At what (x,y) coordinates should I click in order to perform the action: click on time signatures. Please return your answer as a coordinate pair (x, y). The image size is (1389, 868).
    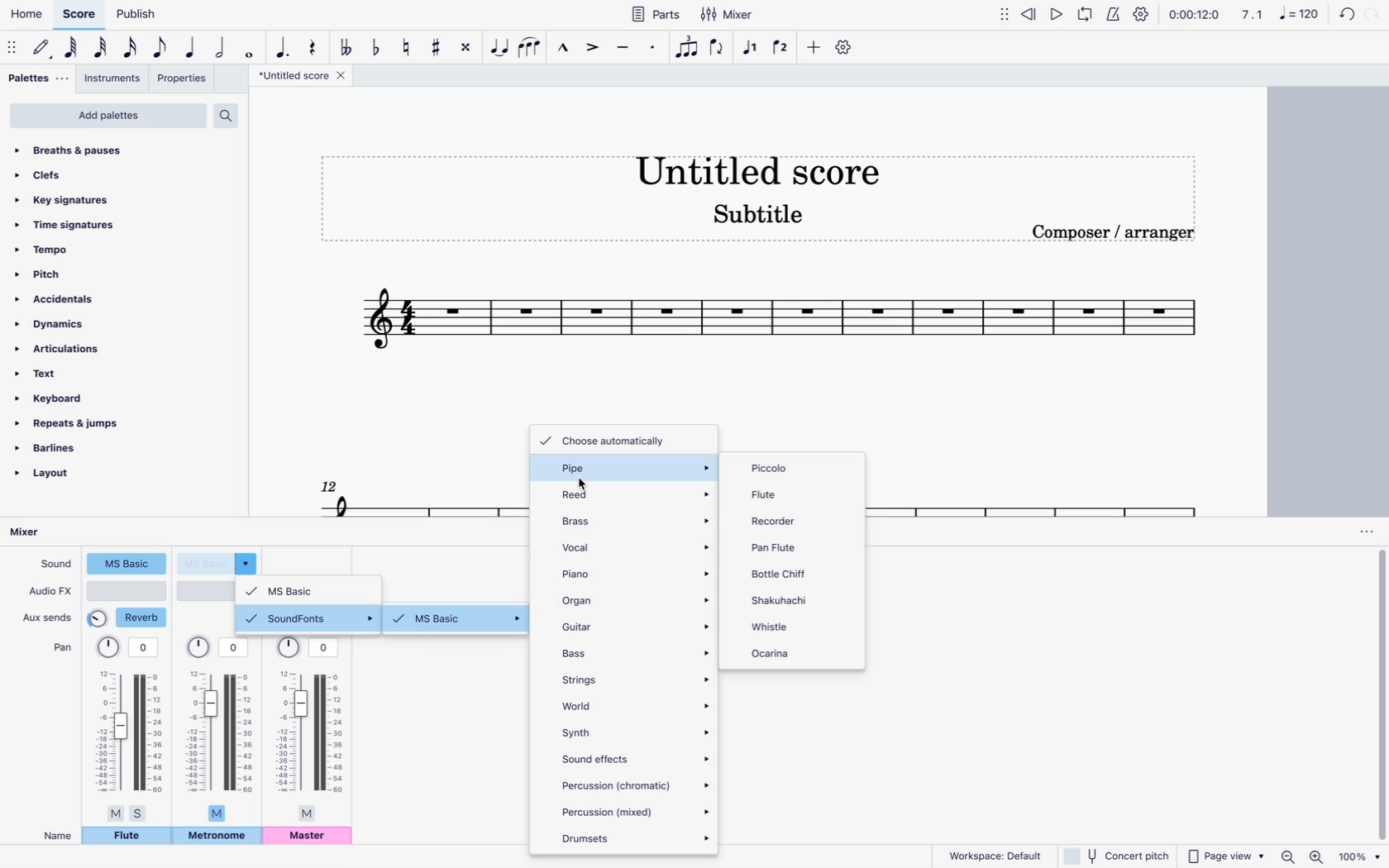
    Looking at the image, I should click on (103, 222).